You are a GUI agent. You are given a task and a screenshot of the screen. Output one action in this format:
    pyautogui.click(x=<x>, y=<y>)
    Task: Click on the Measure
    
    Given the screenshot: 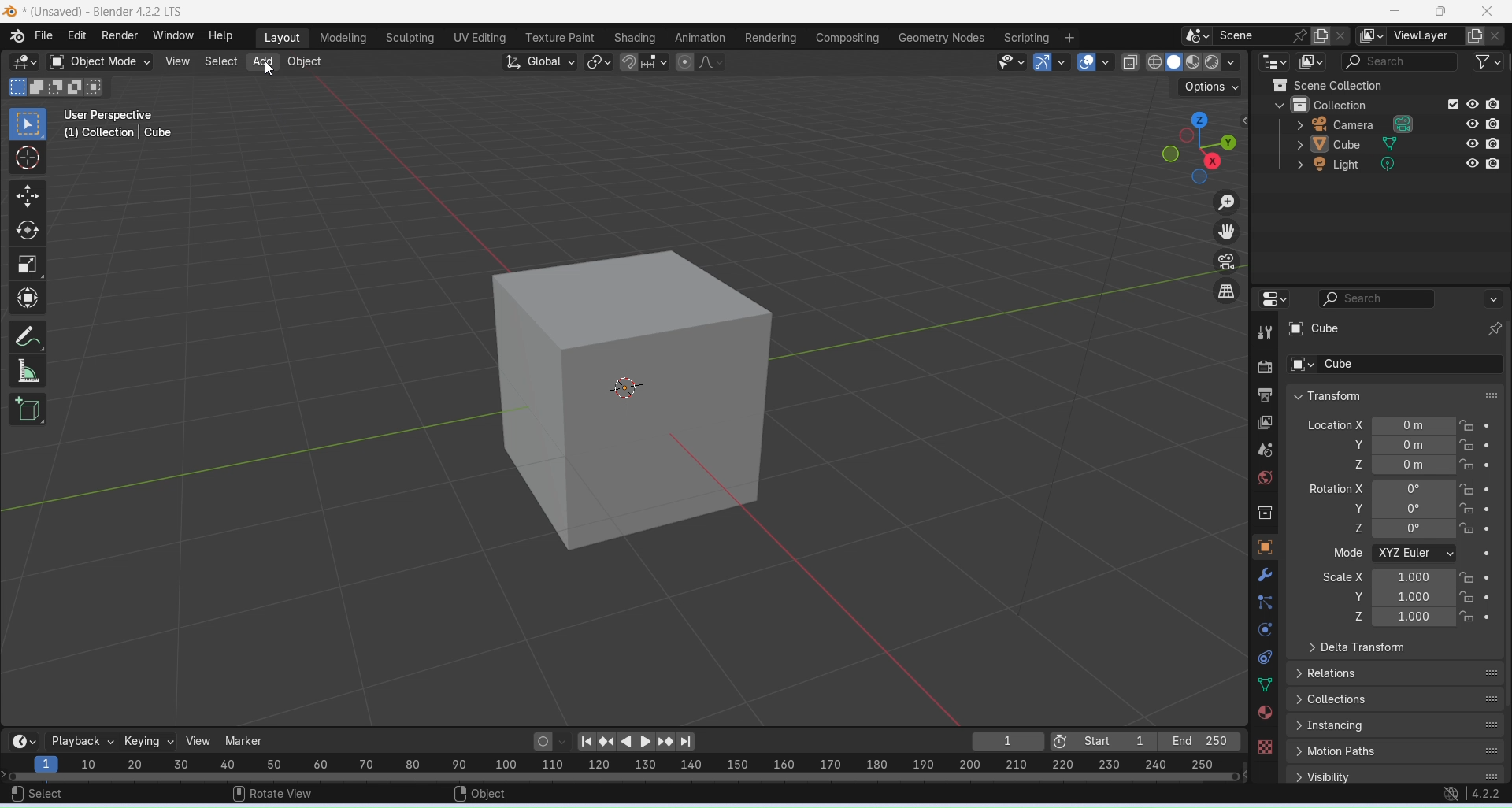 What is the action you would take?
    pyautogui.click(x=29, y=372)
    